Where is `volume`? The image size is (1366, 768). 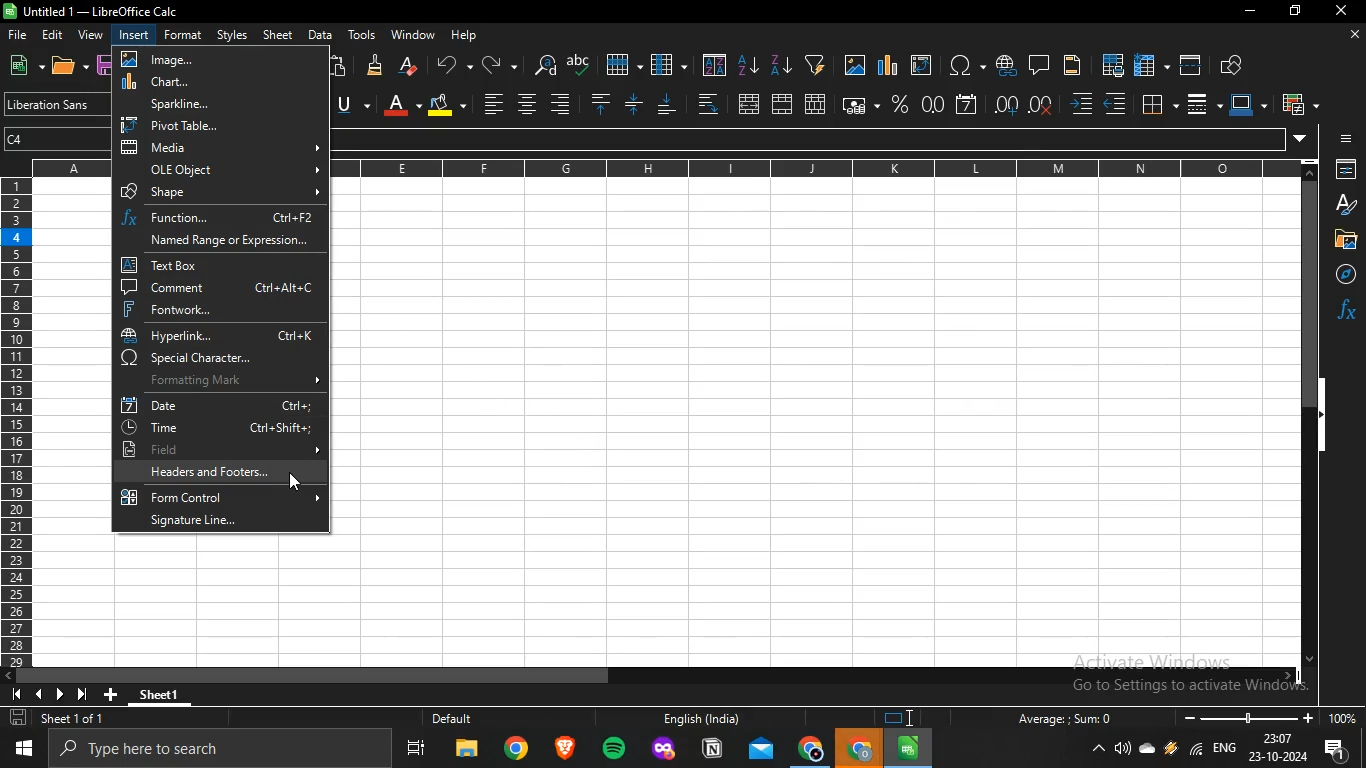
volume is located at coordinates (1123, 749).